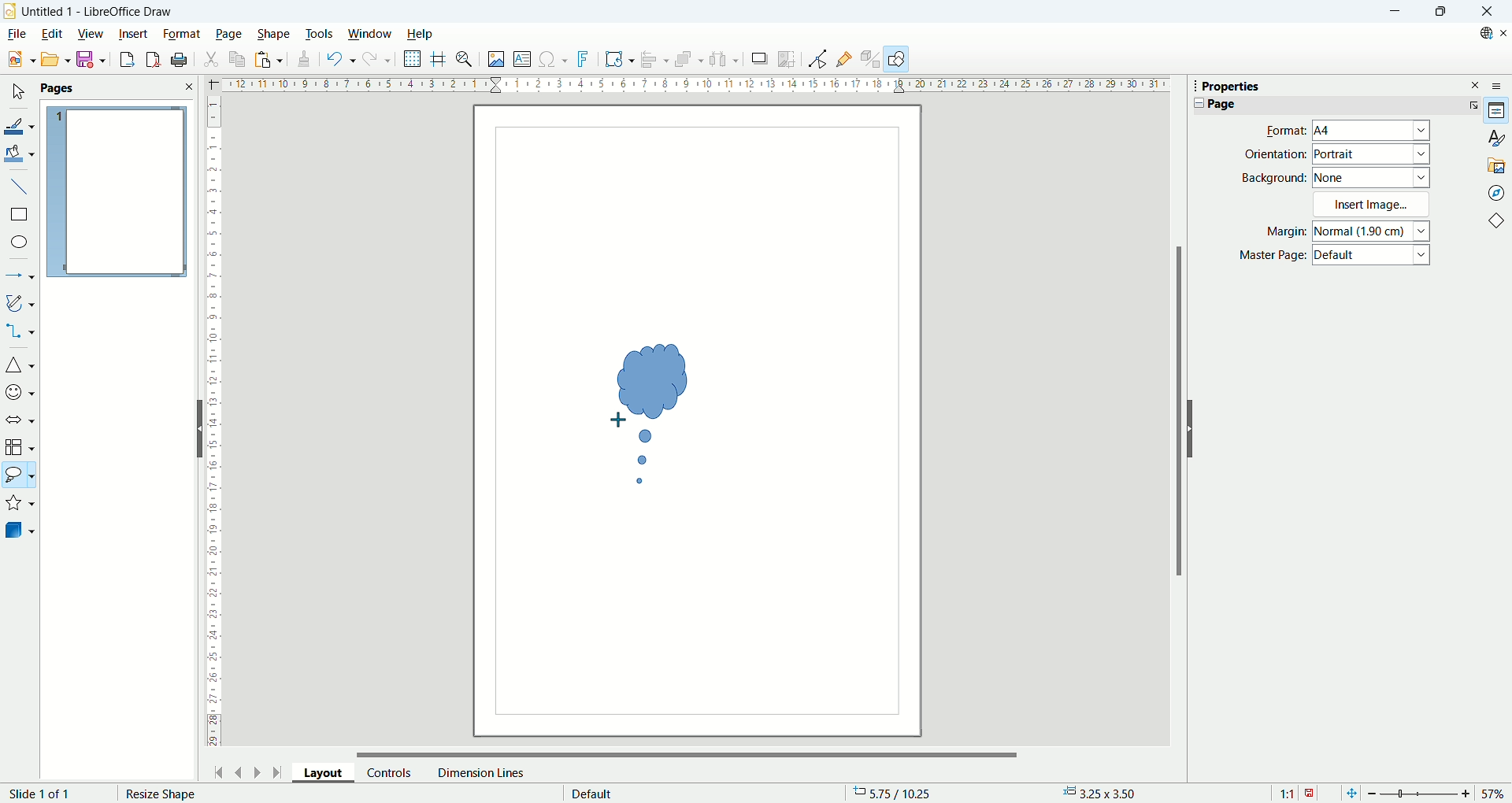 This screenshot has height=803, width=1512. I want to click on Portrait, so click(1372, 154).